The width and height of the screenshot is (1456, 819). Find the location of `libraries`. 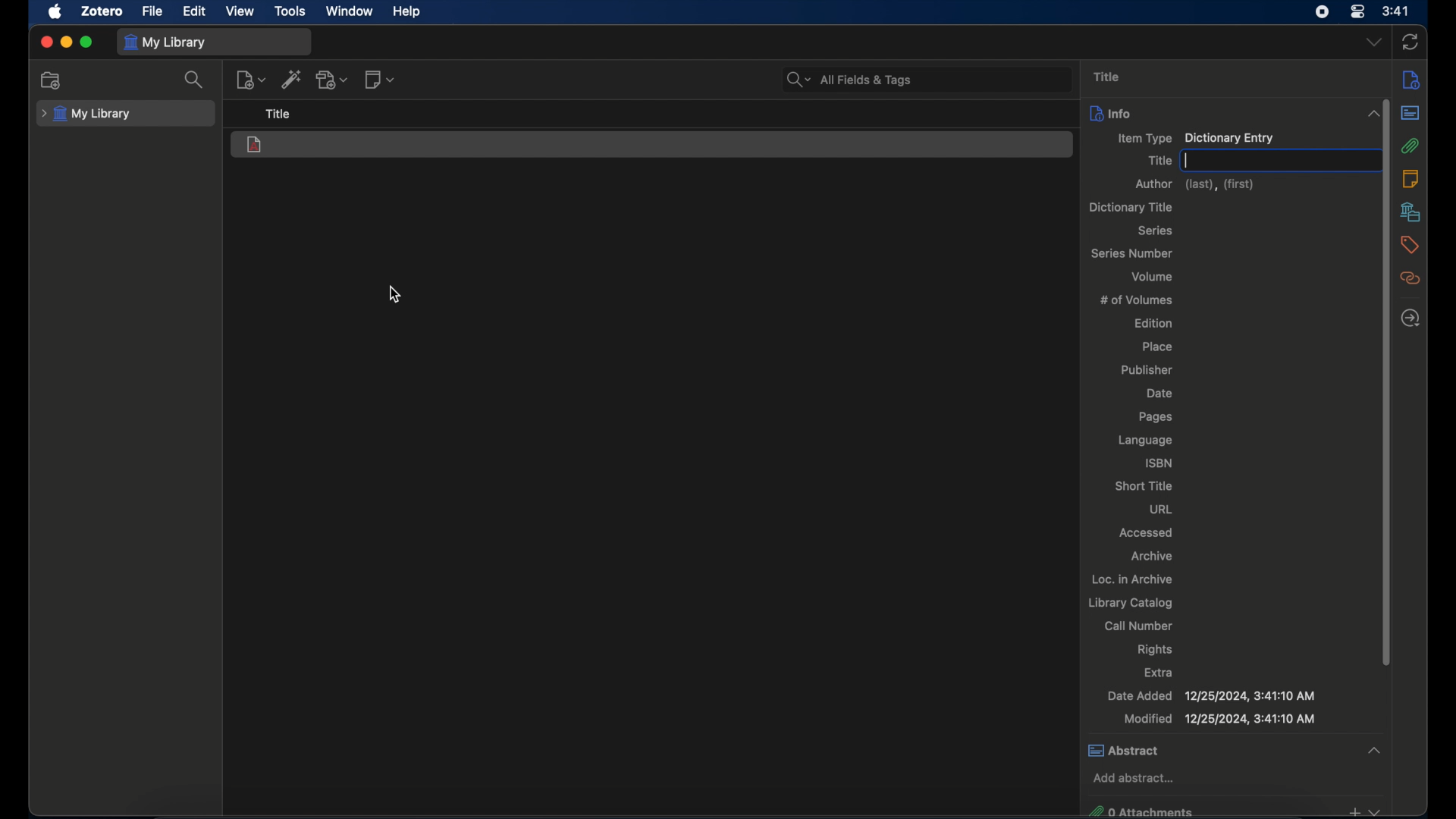

libraries is located at coordinates (1411, 212).